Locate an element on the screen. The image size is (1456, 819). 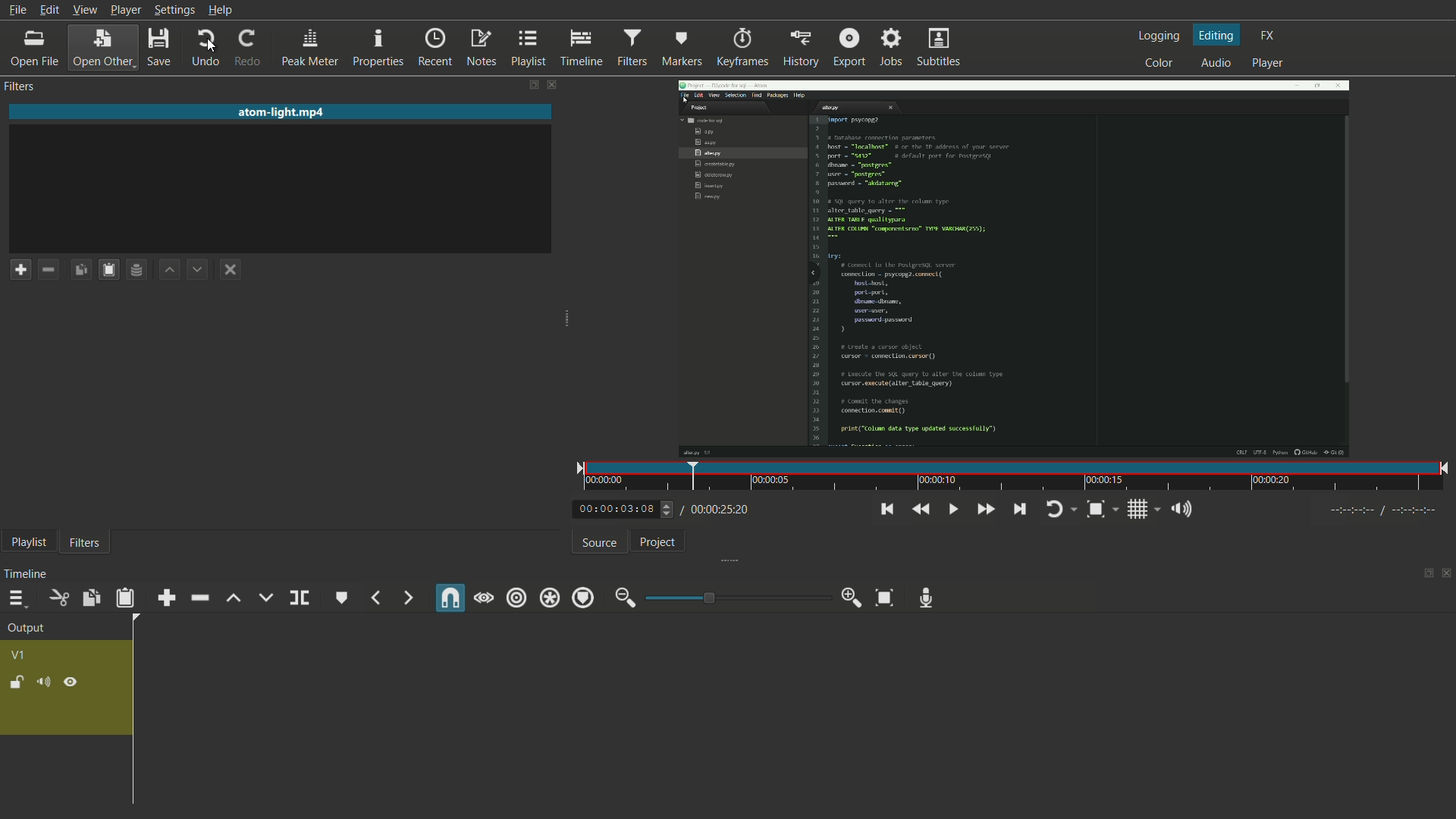
file name is located at coordinates (284, 113).